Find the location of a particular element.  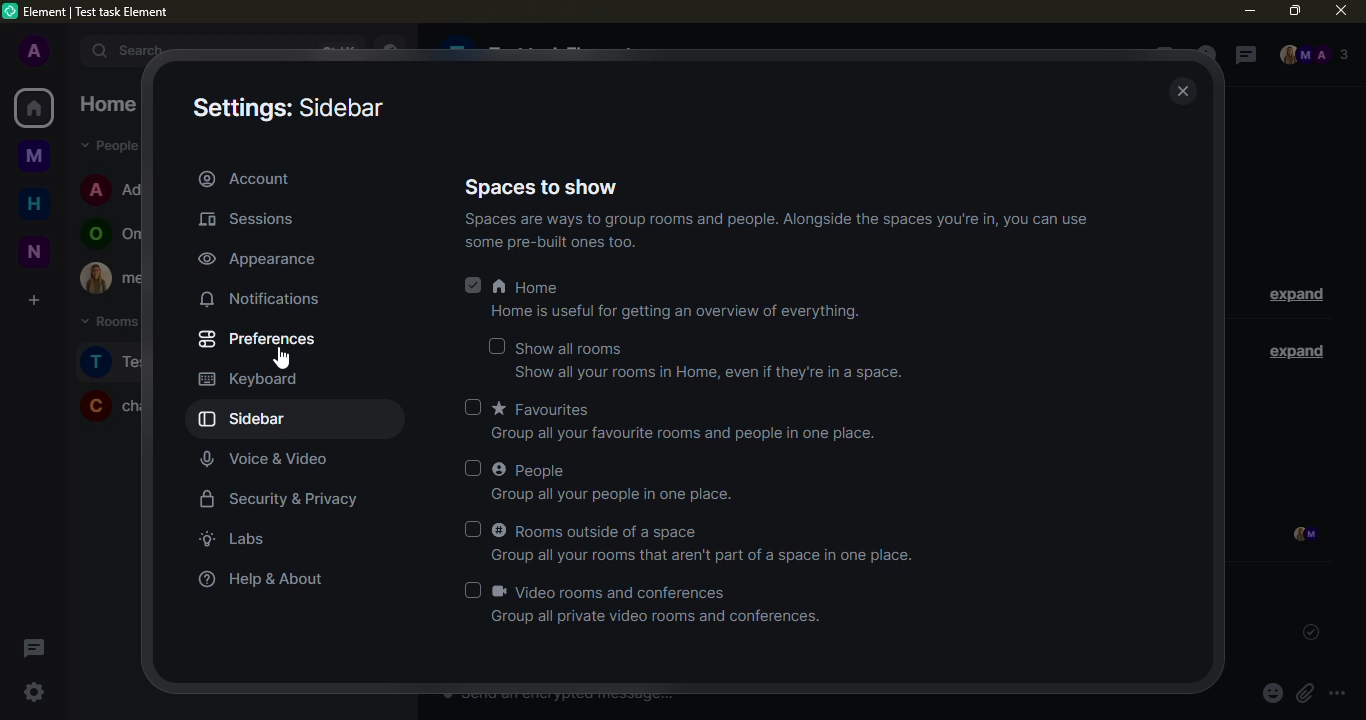

home is located at coordinates (35, 201).